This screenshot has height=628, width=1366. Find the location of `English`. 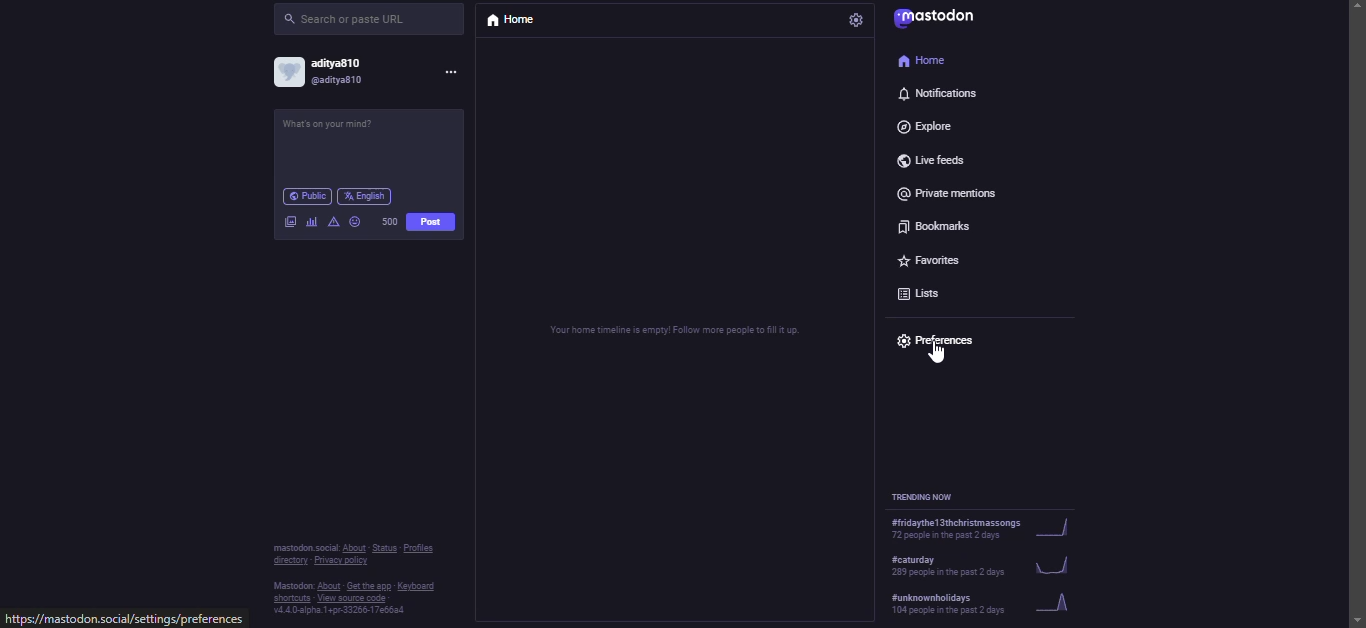

English is located at coordinates (365, 196).